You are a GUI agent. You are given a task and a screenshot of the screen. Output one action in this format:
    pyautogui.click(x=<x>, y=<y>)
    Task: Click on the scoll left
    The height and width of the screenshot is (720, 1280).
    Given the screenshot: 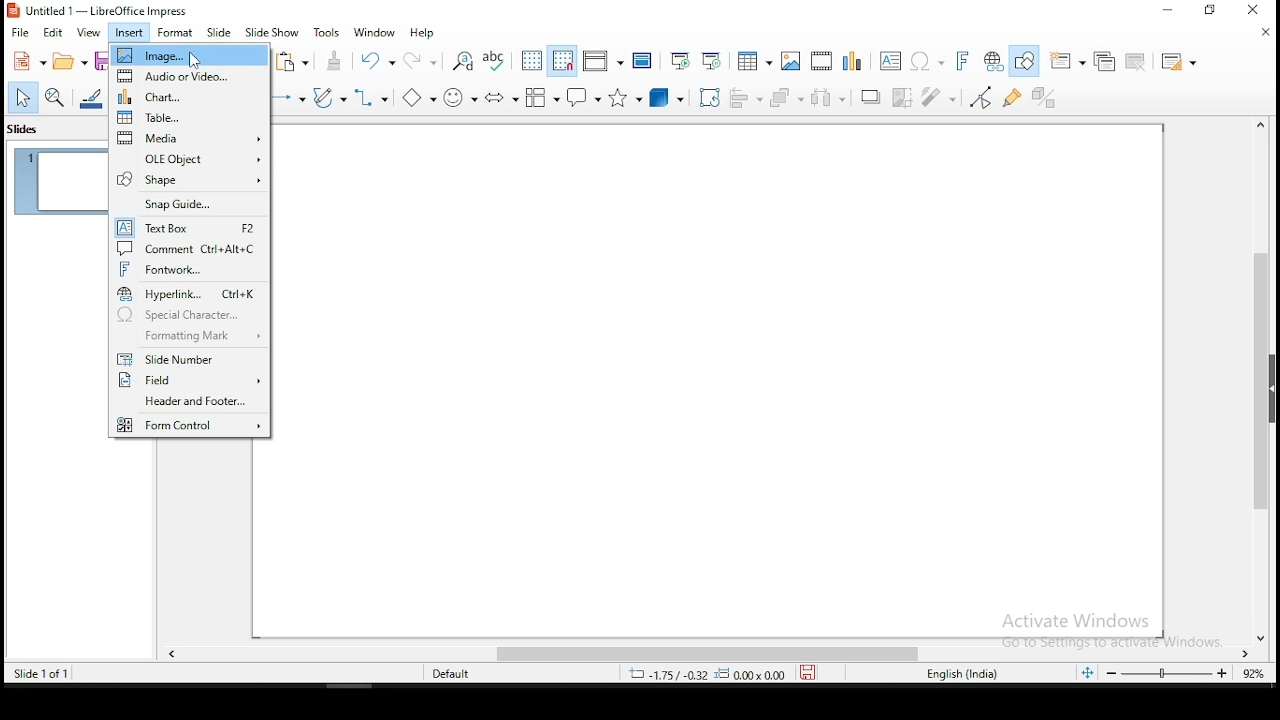 What is the action you would take?
    pyautogui.click(x=172, y=655)
    